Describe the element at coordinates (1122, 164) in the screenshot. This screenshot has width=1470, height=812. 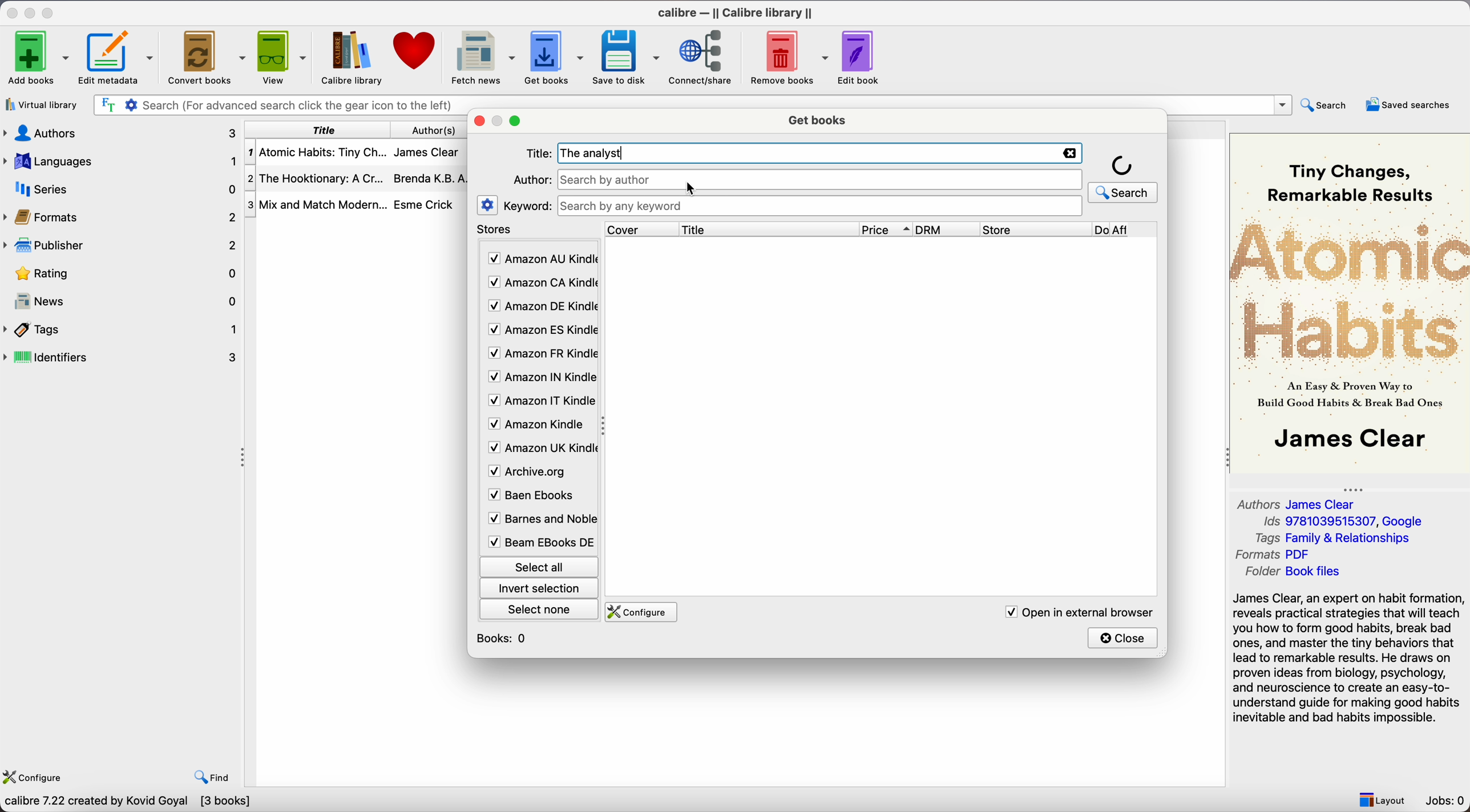
I see `loading icon` at that location.